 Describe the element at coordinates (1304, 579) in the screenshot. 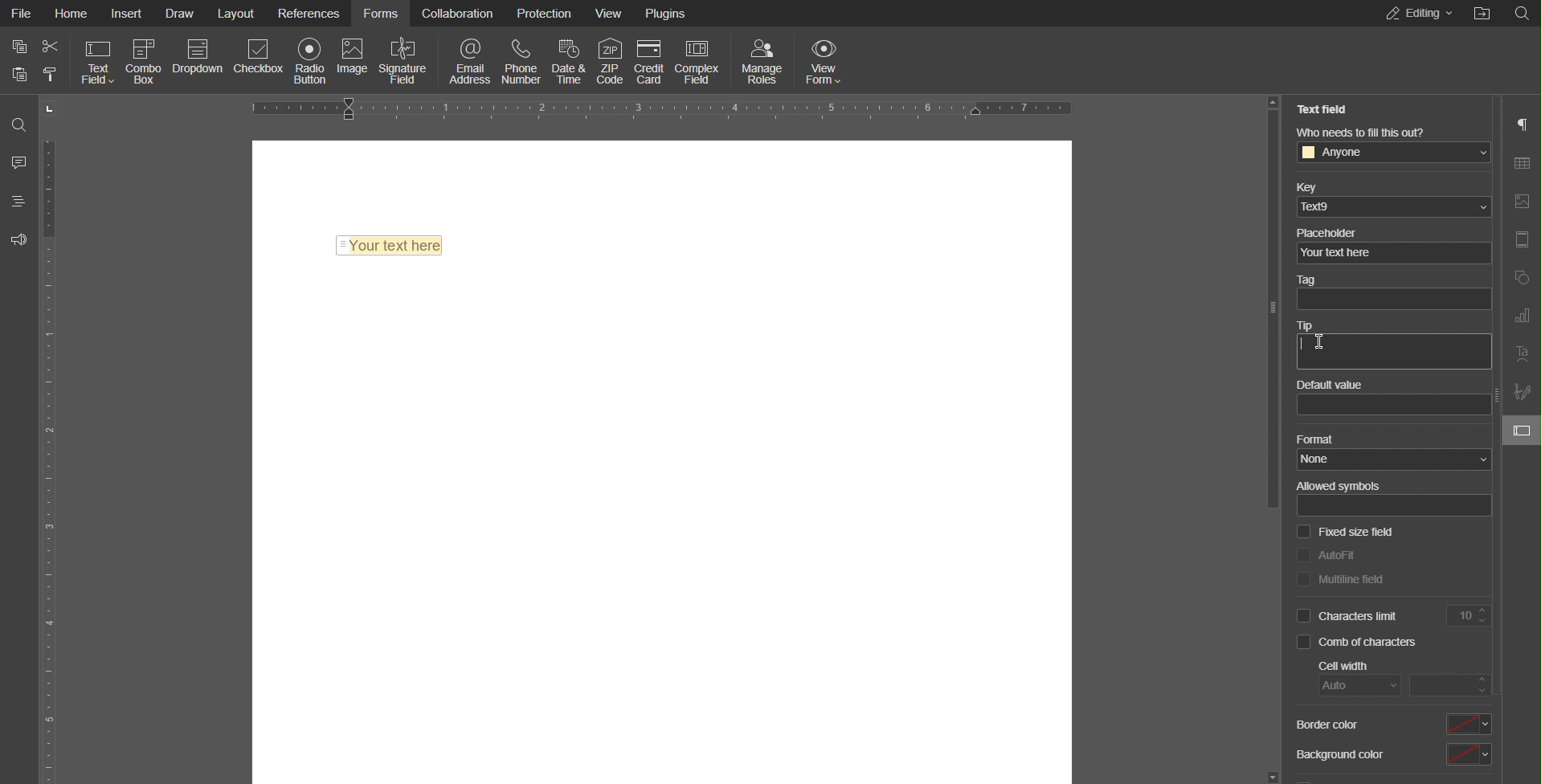

I see `checkbox` at that location.